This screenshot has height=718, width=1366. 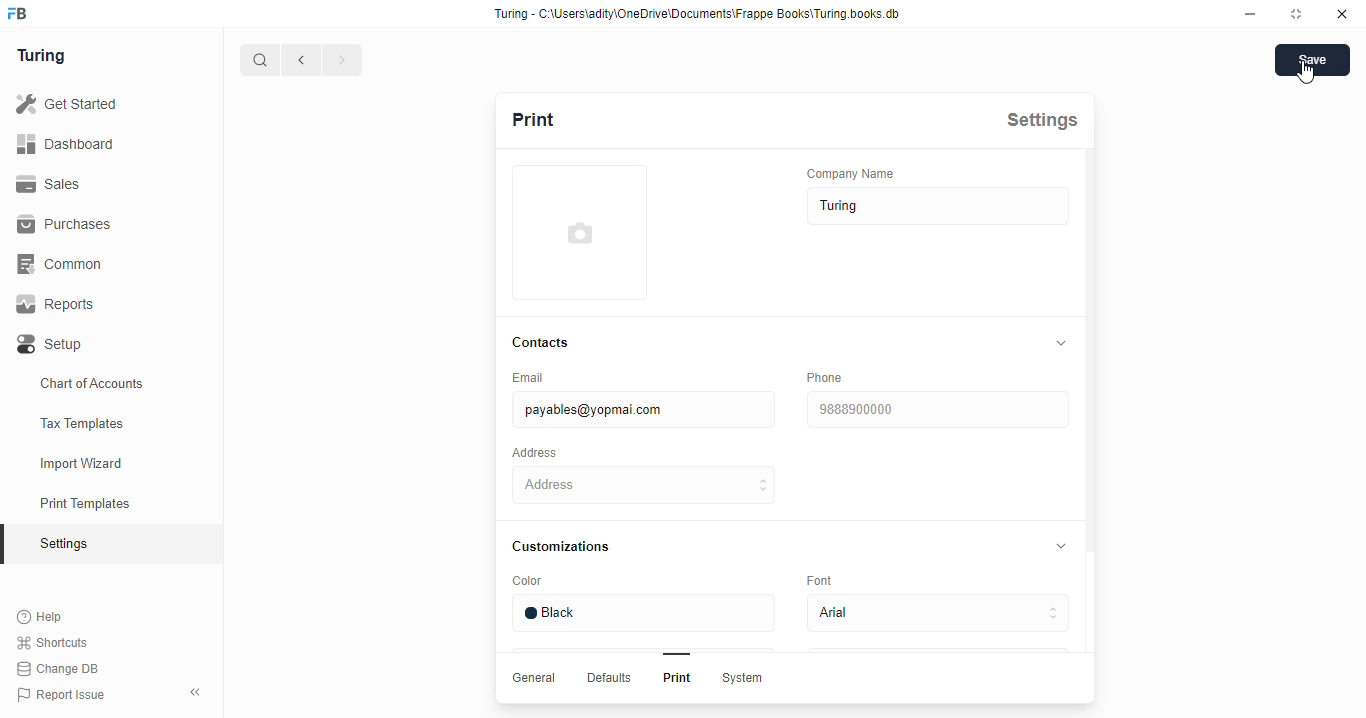 I want to click on Turing, so click(x=933, y=207).